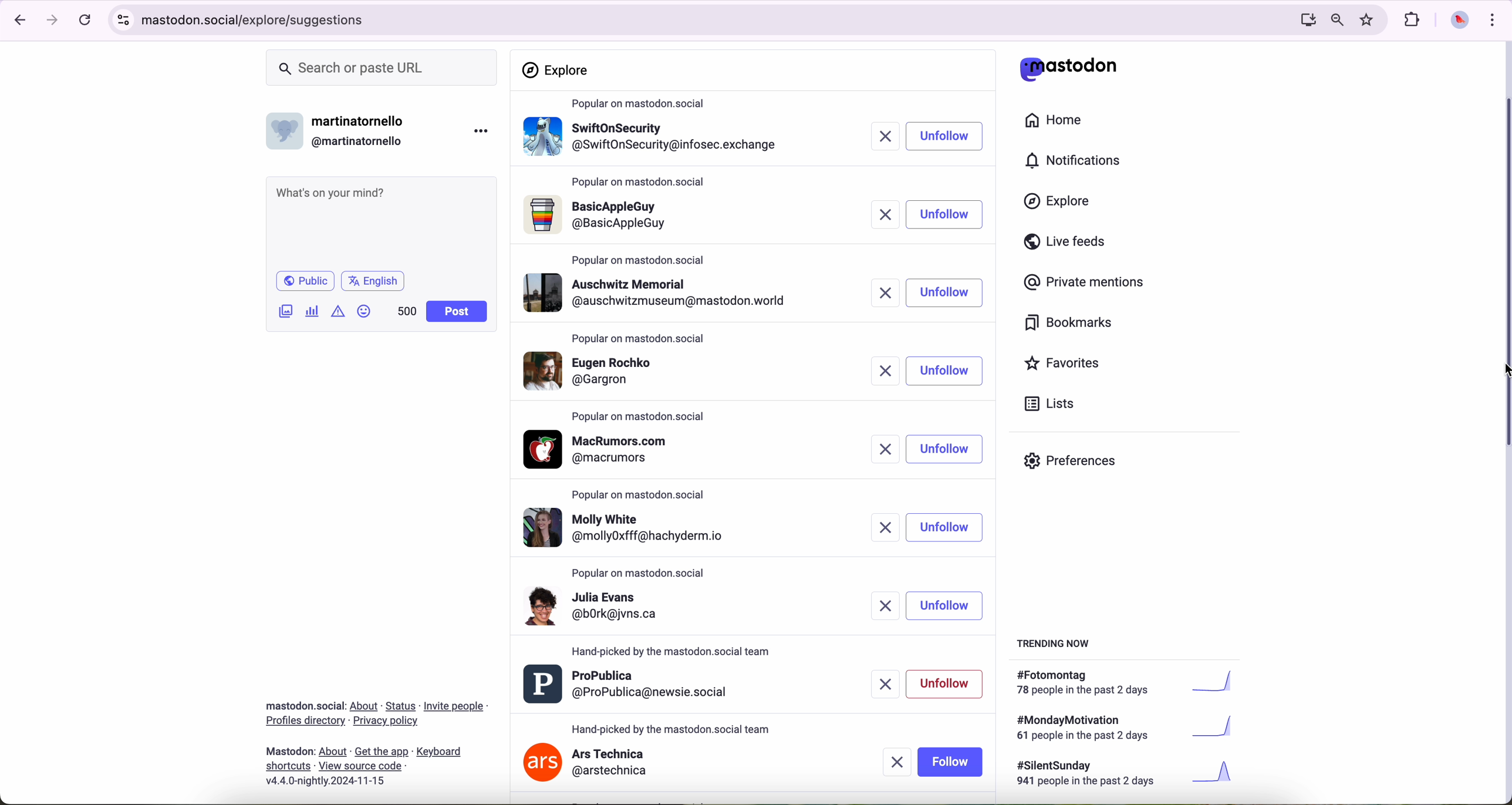  I want to click on explore section, so click(558, 70).